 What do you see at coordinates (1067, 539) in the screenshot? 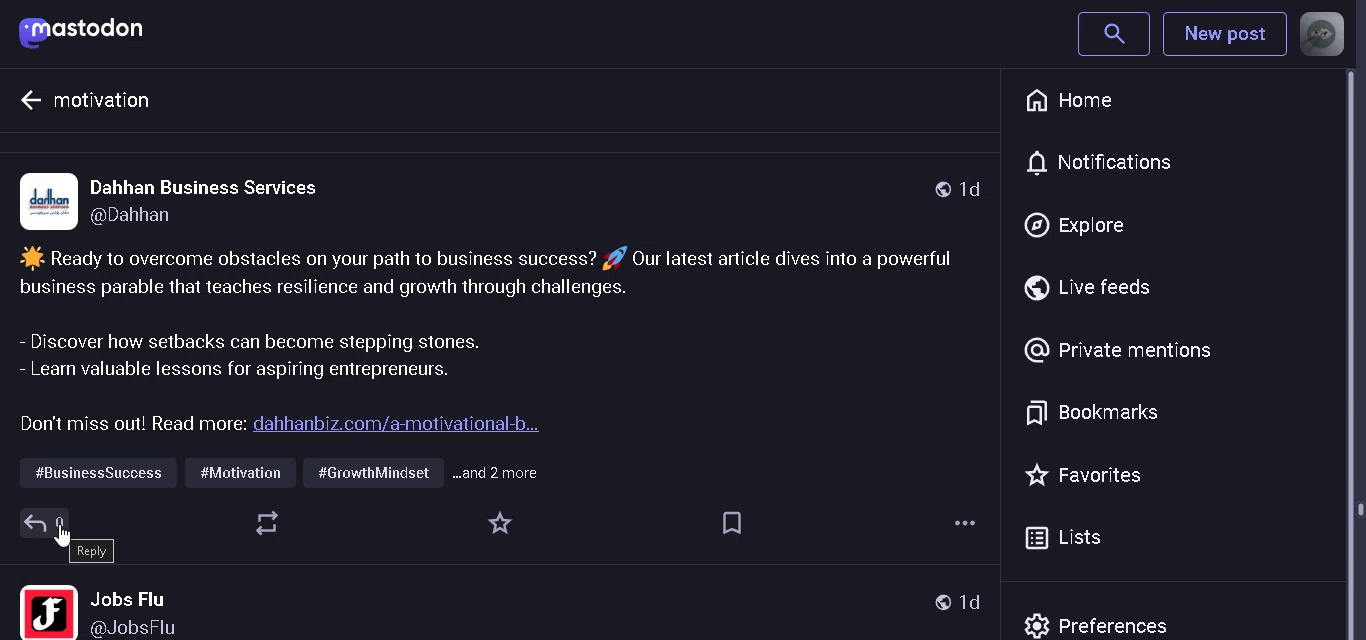
I see `lists` at bounding box center [1067, 539].